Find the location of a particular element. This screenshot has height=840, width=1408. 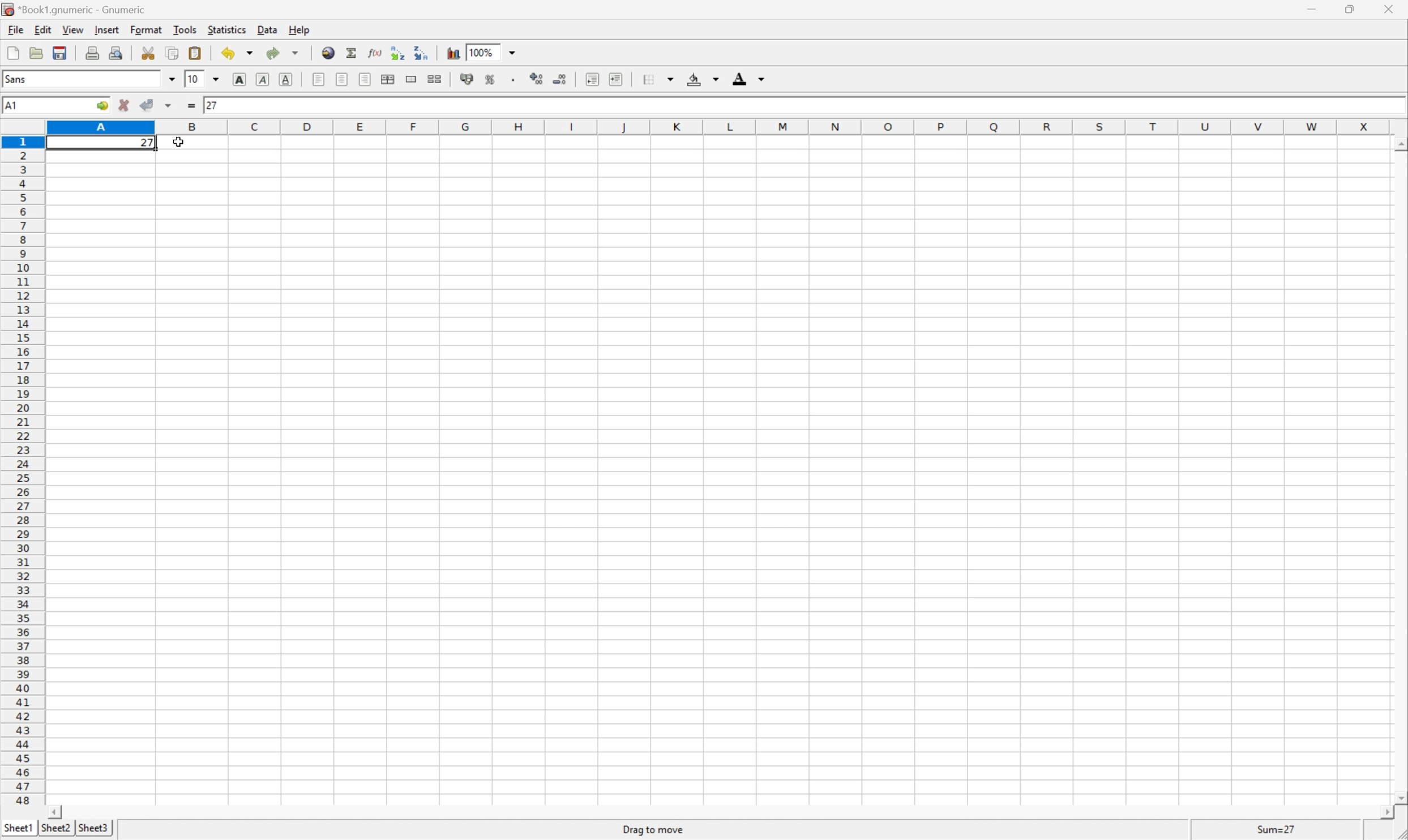

10 is located at coordinates (194, 79).